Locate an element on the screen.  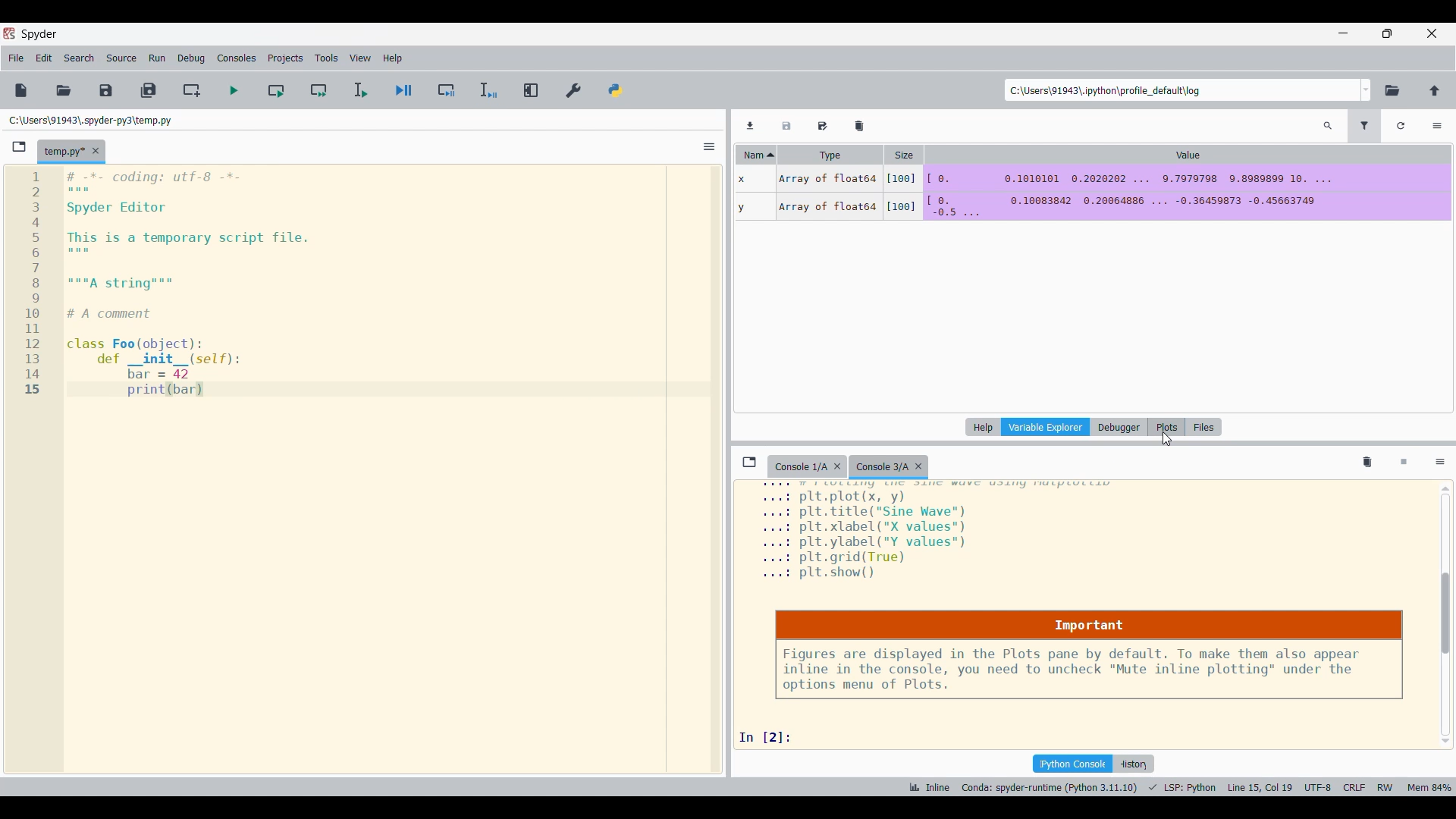
Value column is located at coordinates (1191, 154).